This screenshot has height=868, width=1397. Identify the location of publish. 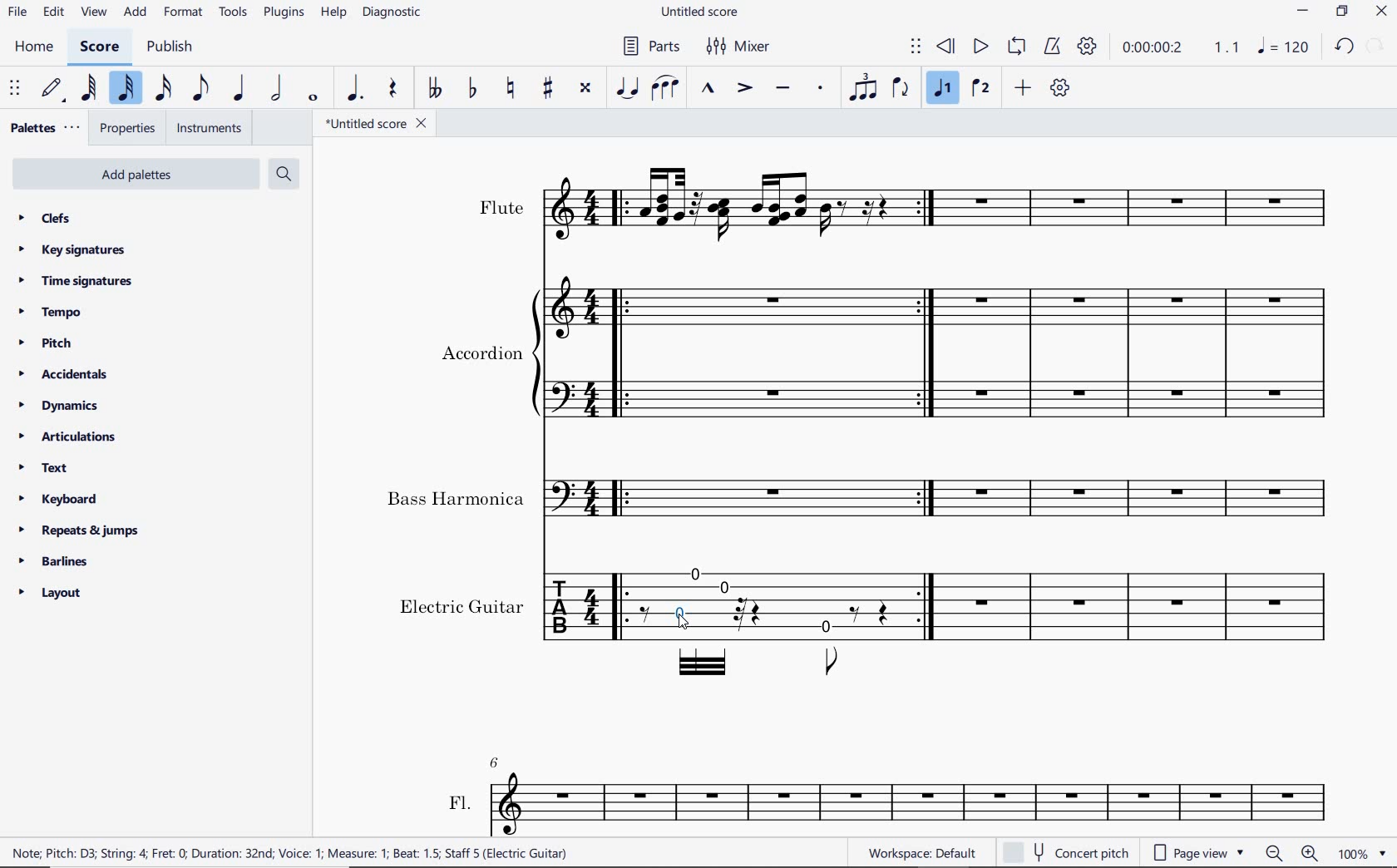
(170, 47).